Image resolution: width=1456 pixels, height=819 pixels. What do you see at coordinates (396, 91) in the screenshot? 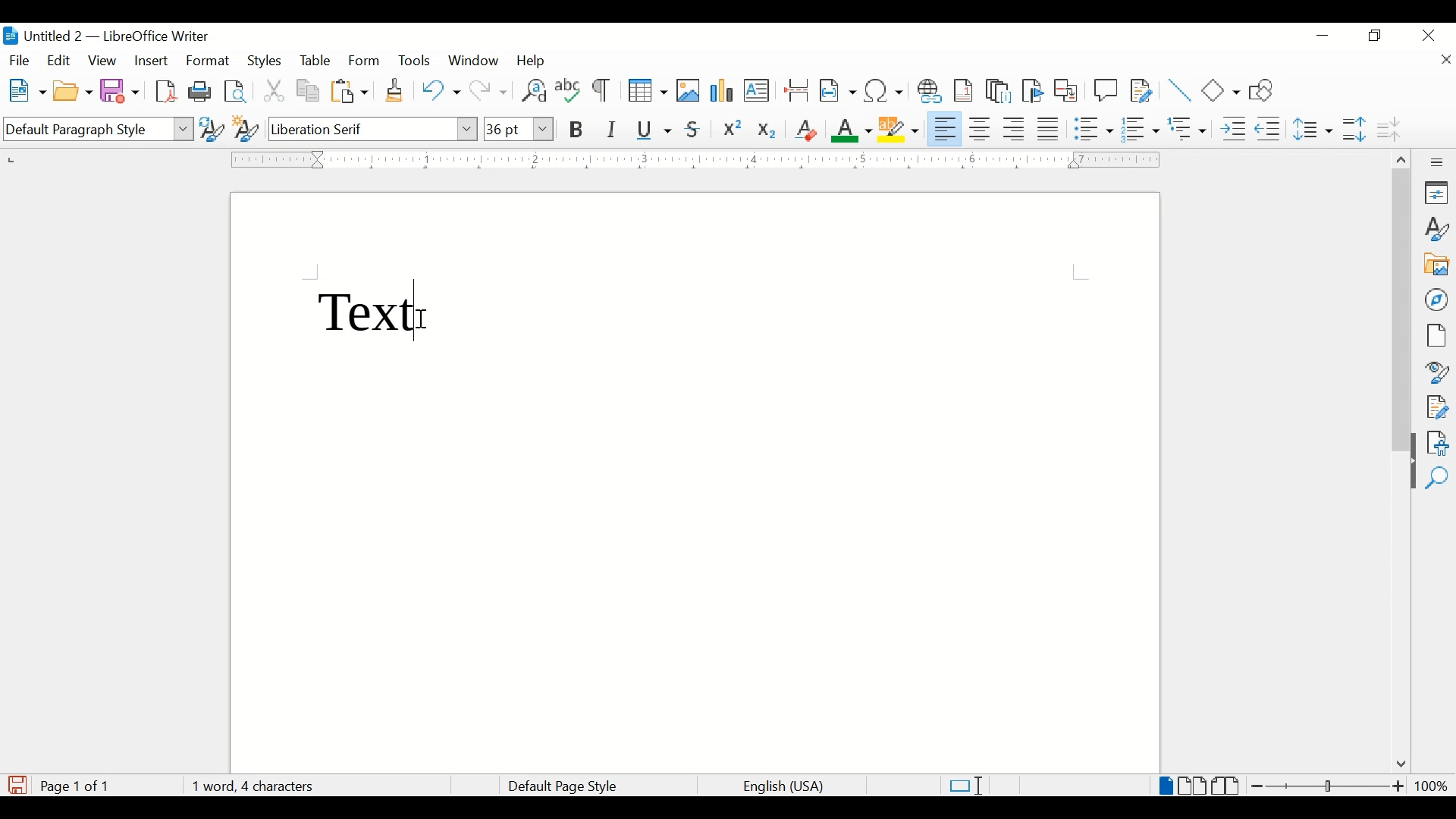
I see `clone formatting` at bounding box center [396, 91].